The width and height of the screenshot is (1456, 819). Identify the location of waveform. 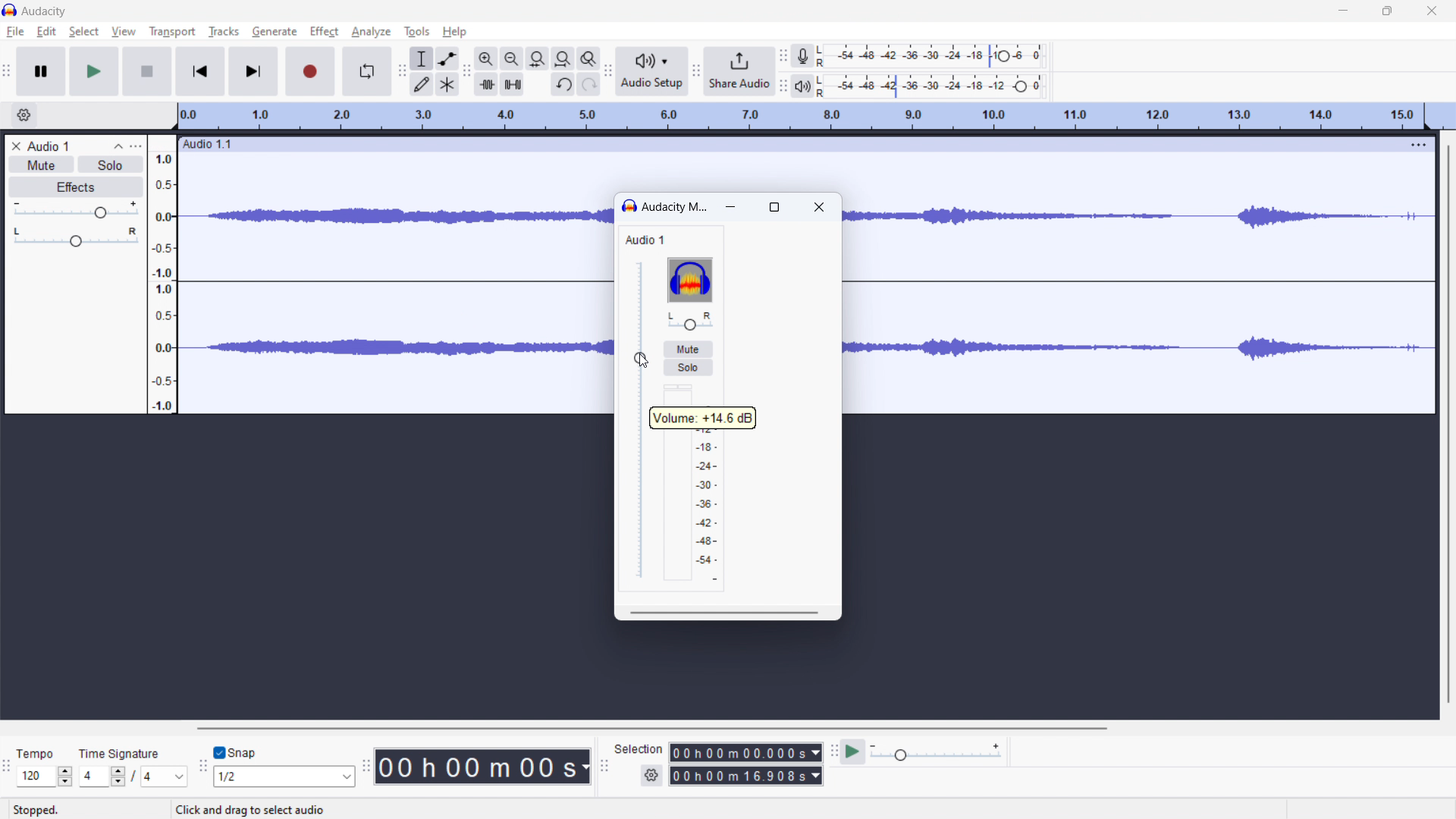
(1091, 352).